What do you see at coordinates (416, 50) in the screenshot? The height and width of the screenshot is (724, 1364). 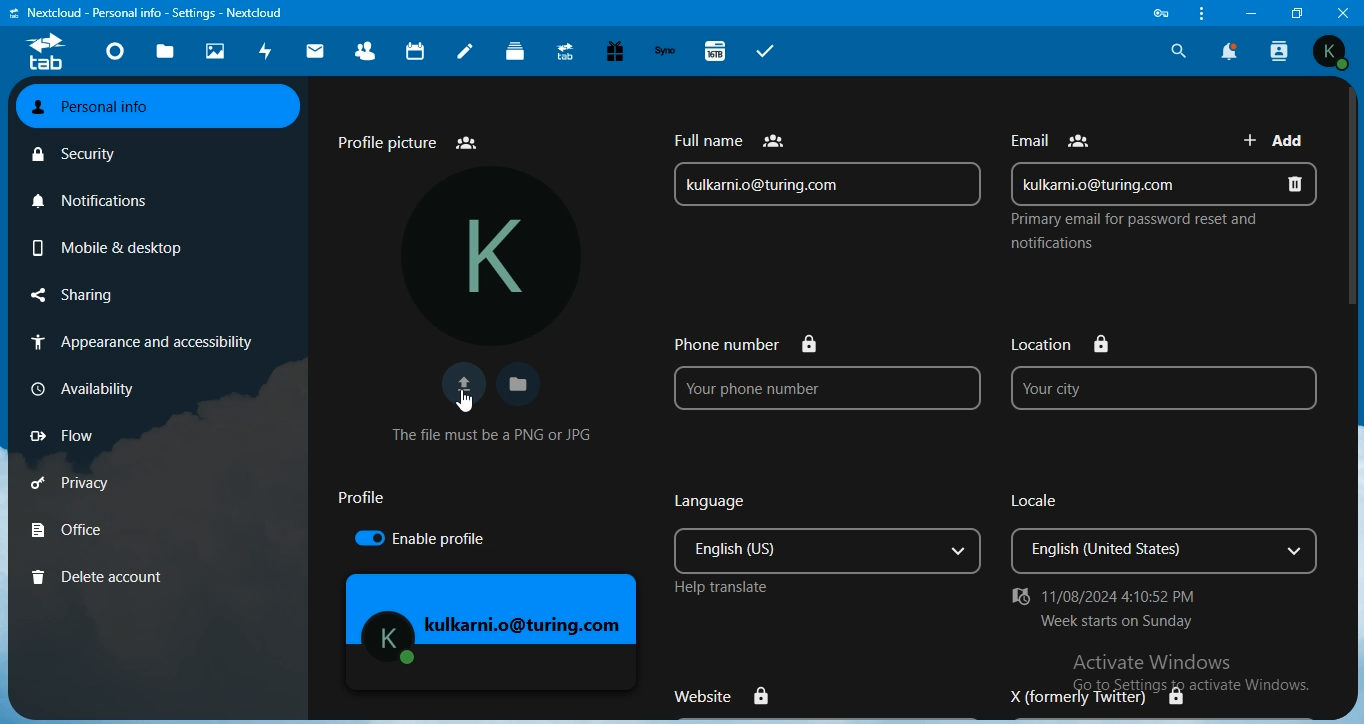 I see `calendar` at bounding box center [416, 50].